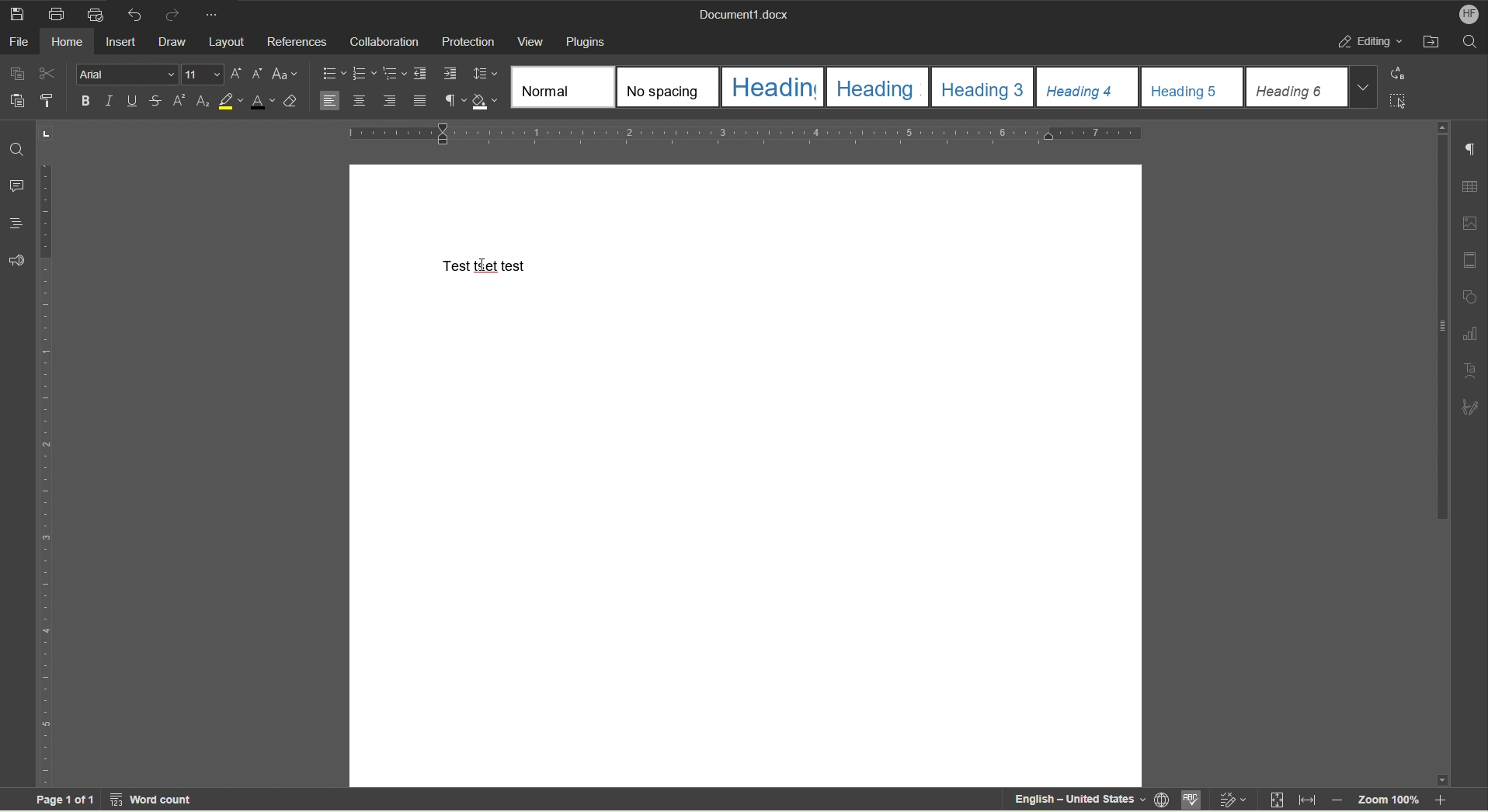  Describe the element at coordinates (96, 13) in the screenshot. I see `Quick Print` at that location.